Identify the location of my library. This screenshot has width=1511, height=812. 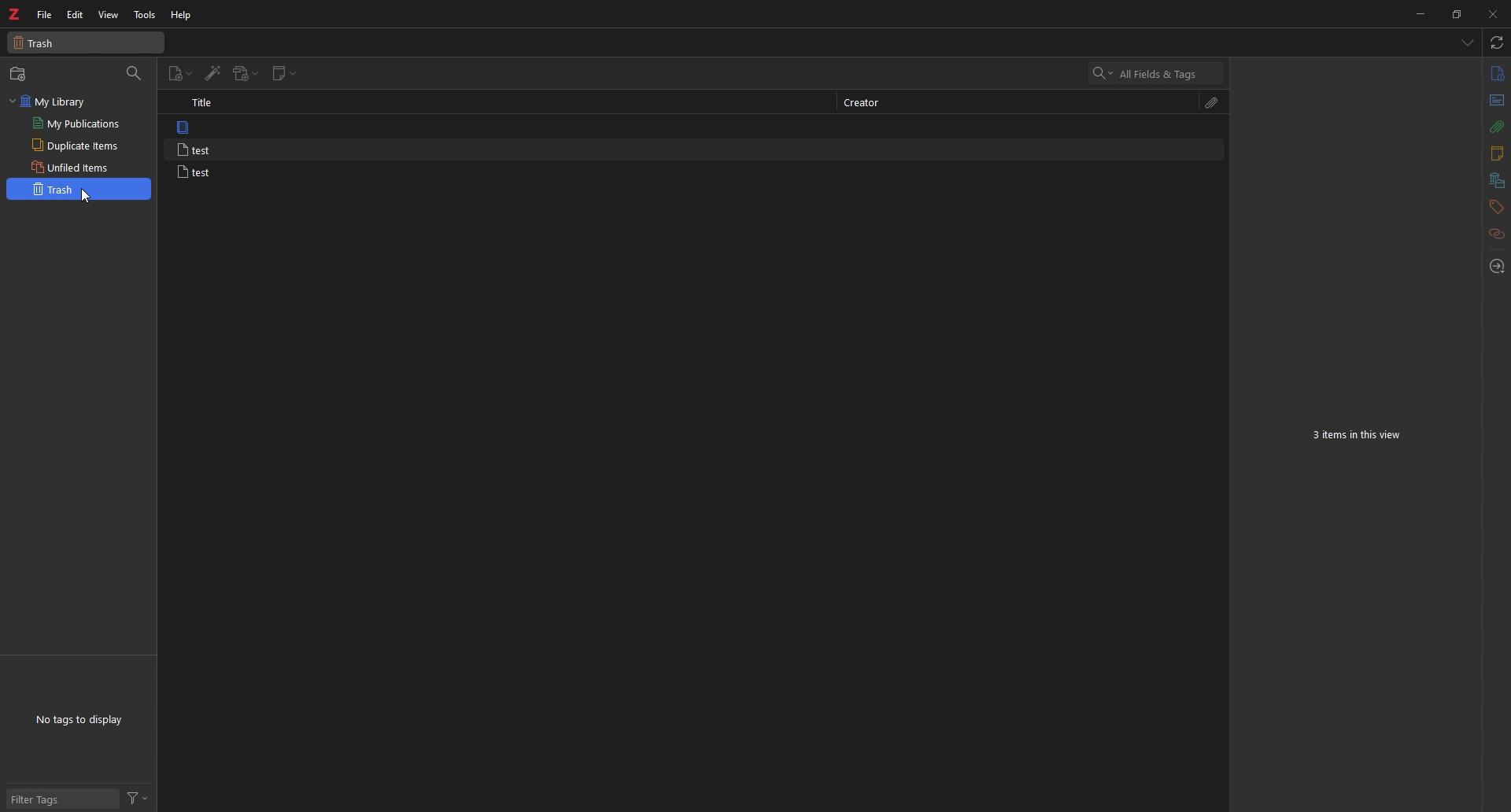
(79, 101).